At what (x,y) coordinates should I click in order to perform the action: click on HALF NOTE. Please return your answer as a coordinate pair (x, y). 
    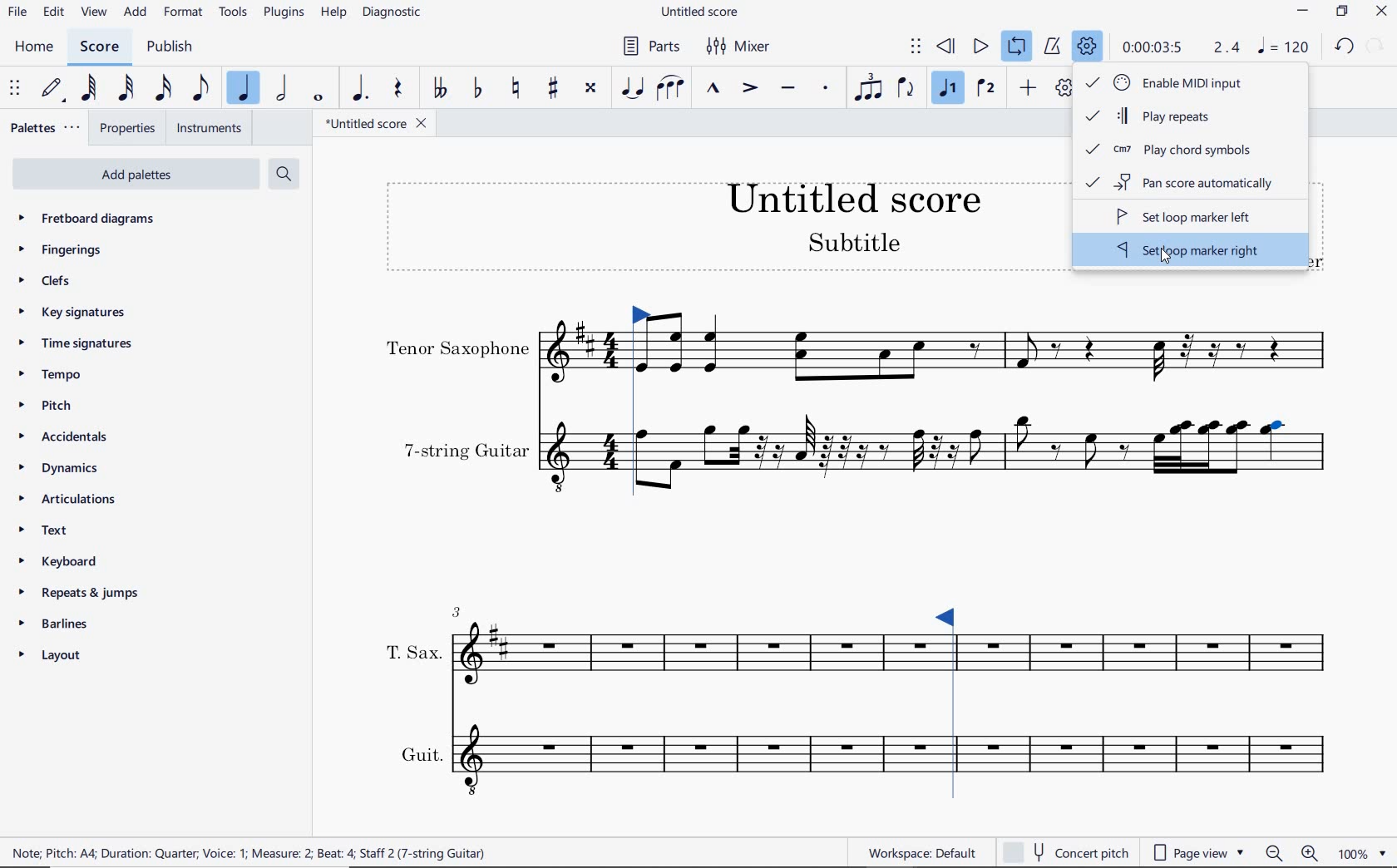
    Looking at the image, I should click on (279, 89).